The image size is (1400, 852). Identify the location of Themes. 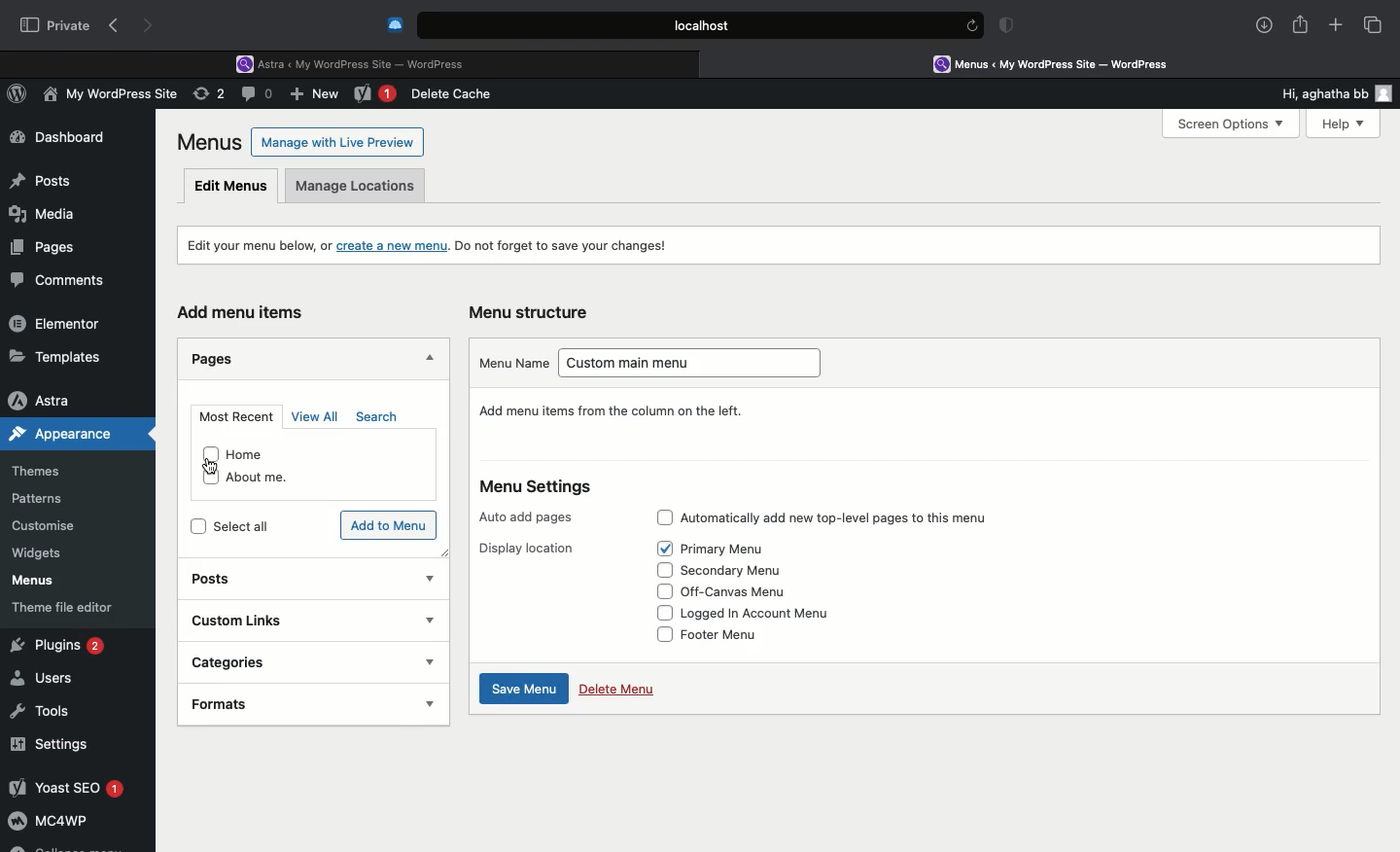
(50, 472).